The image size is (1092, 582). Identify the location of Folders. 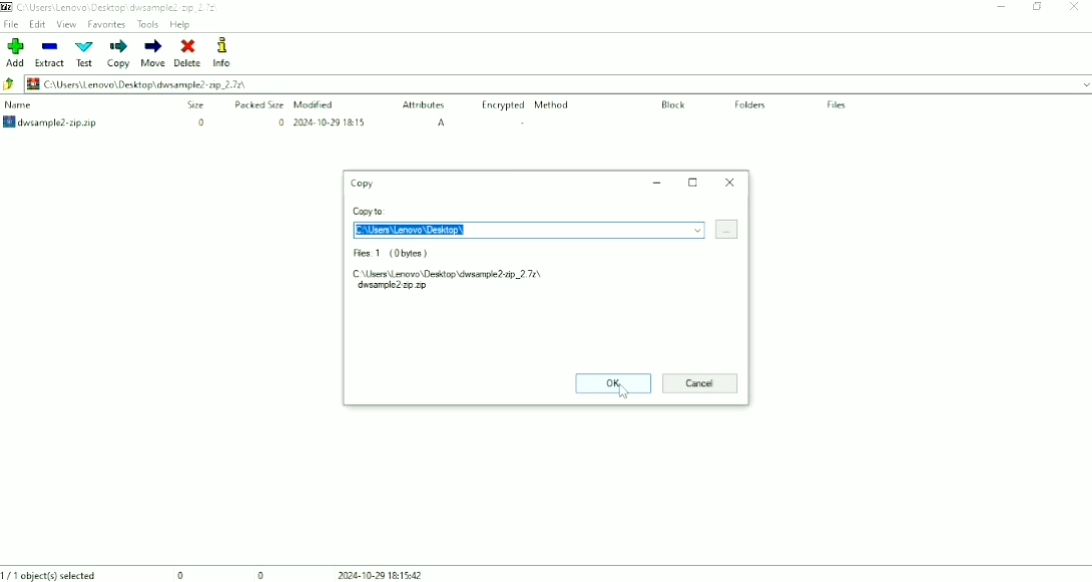
(753, 106).